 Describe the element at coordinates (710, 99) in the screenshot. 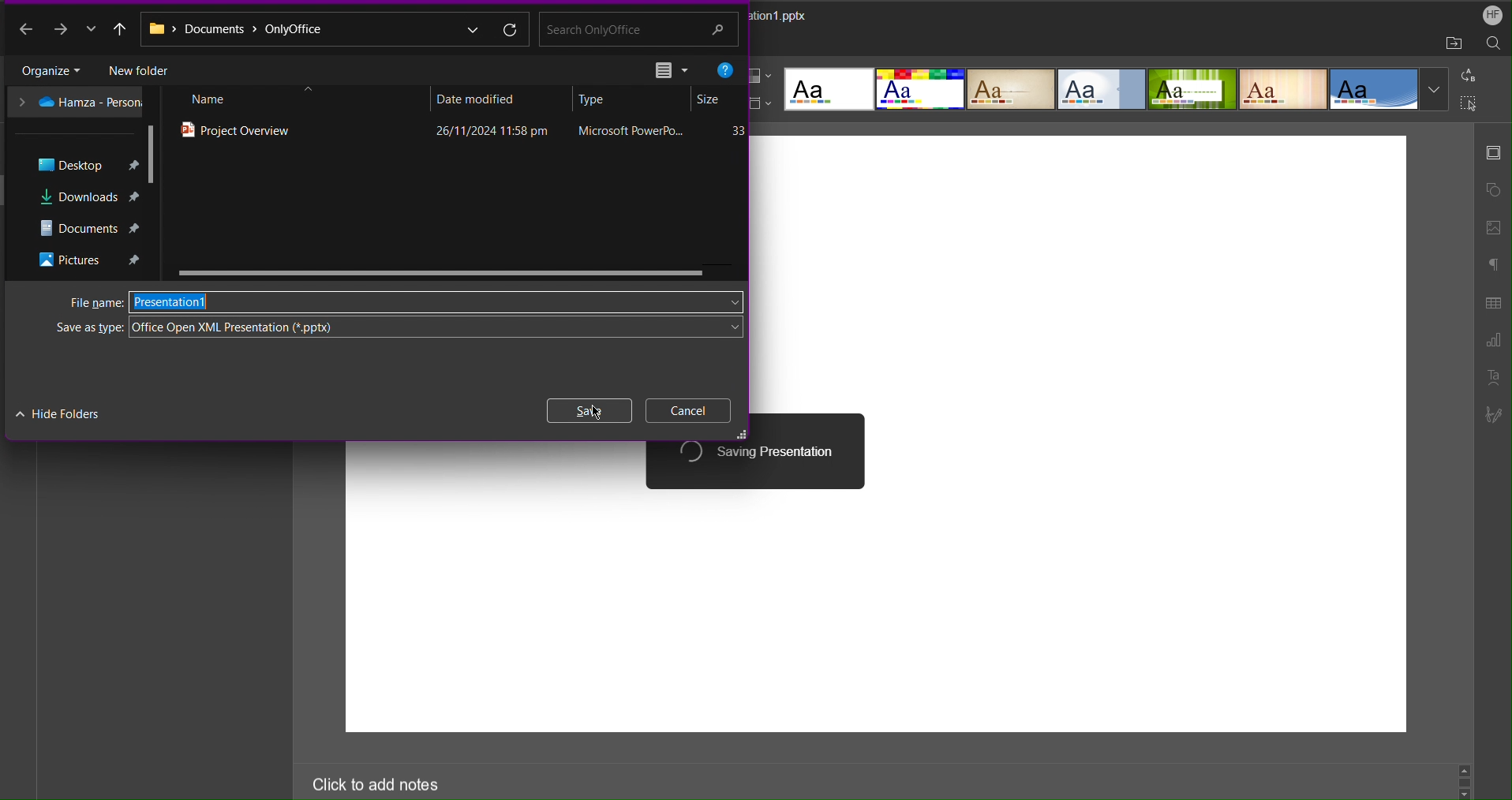

I see `Size` at that location.